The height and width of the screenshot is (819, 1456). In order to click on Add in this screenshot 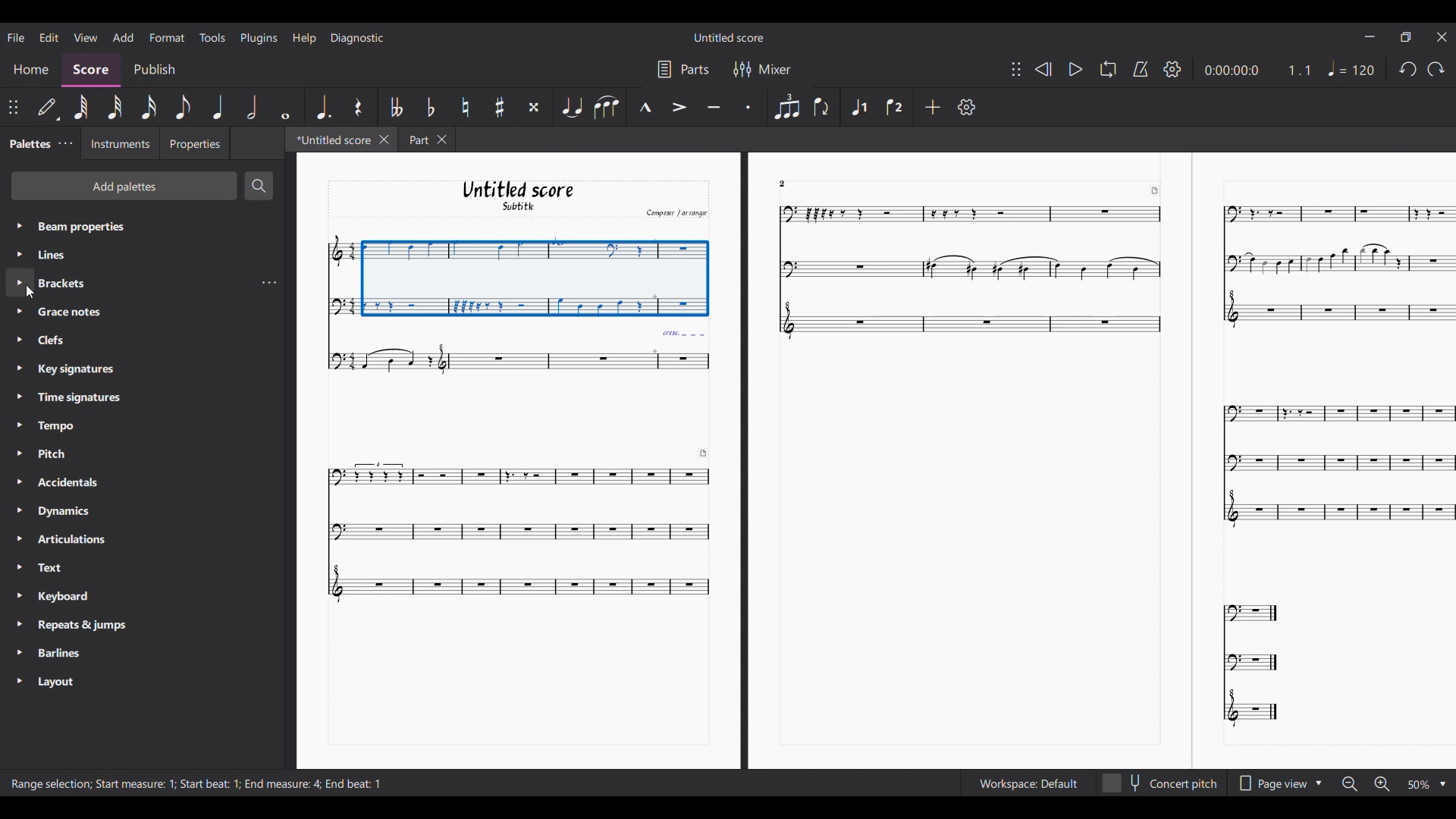, I will do `click(932, 106)`.